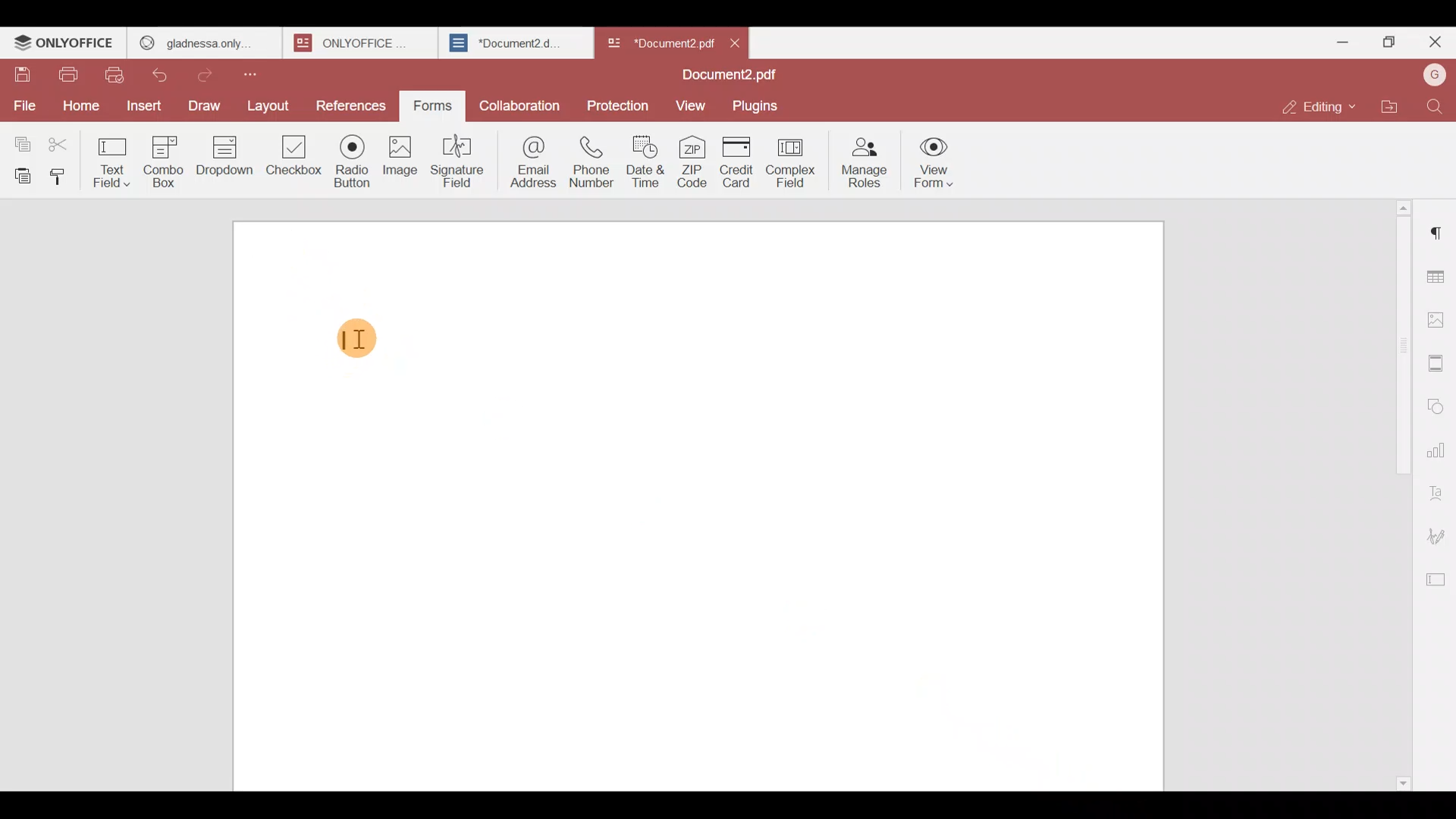 This screenshot has height=819, width=1456. I want to click on Collaboration, so click(522, 108).